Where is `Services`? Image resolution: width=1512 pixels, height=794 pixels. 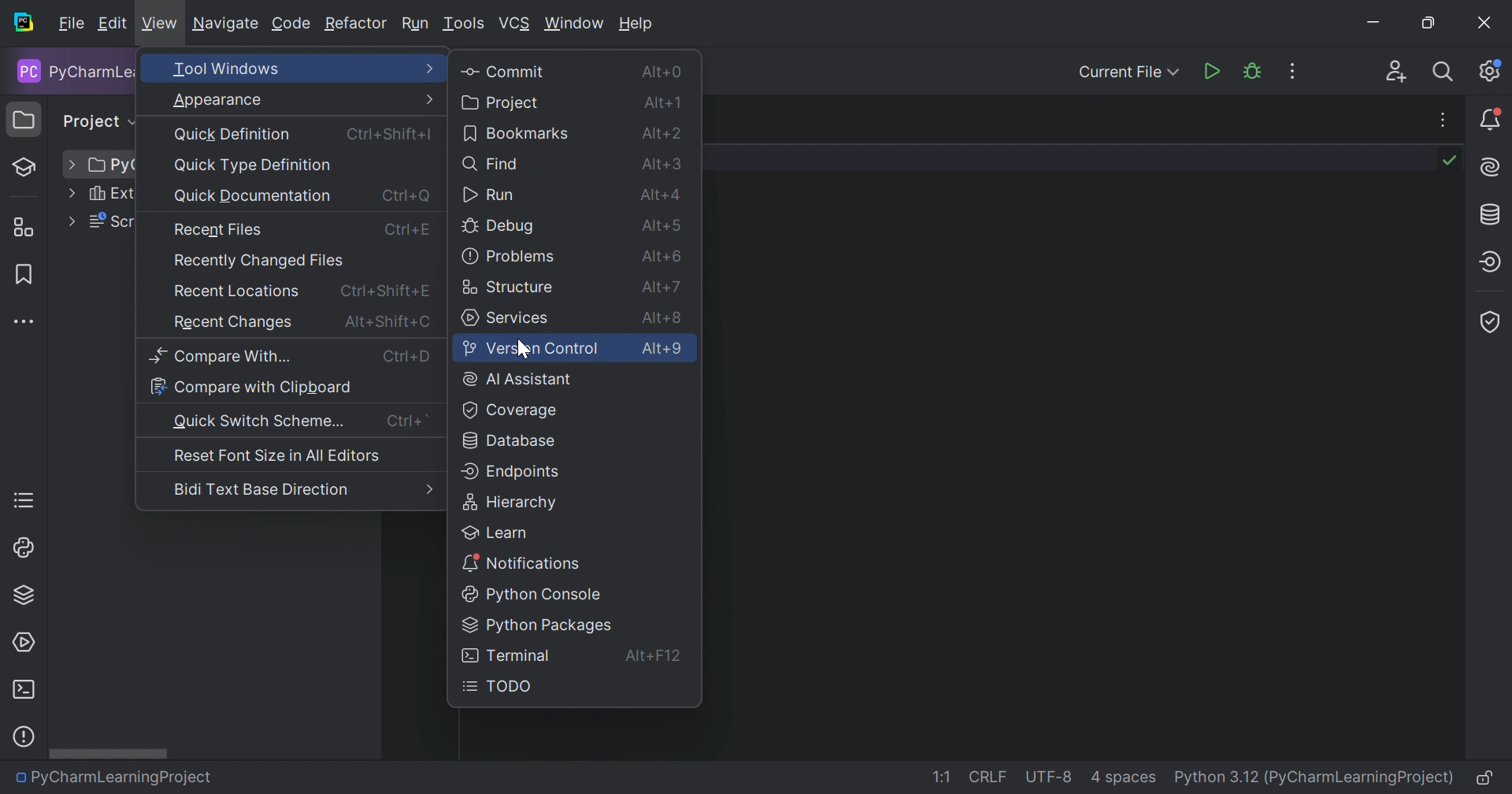
Services is located at coordinates (506, 317).